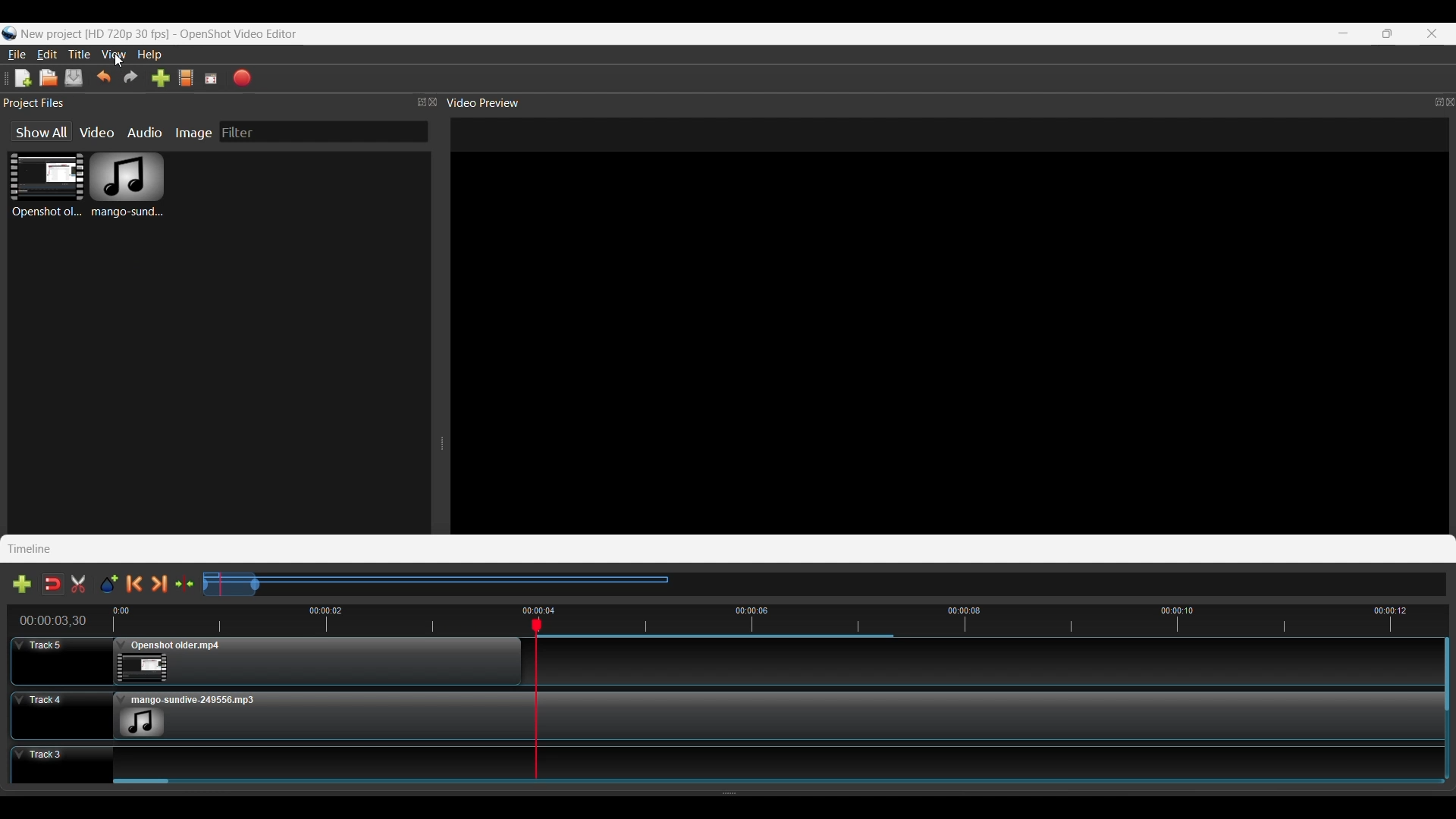 This screenshot has width=1456, height=819. What do you see at coordinates (32, 548) in the screenshot?
I see `Timeline` at bounding box center [32, 548].